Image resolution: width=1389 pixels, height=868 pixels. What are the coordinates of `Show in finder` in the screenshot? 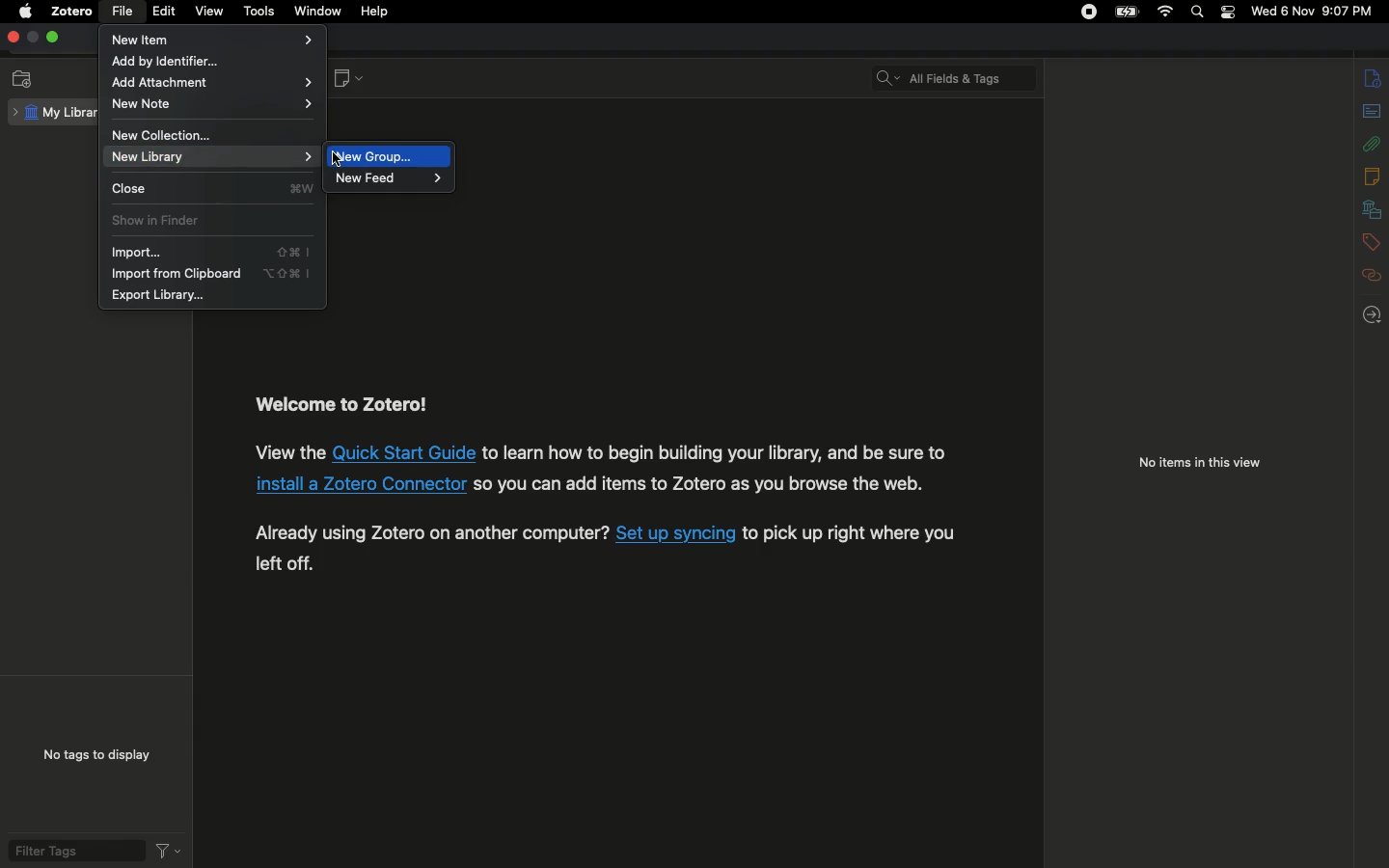 It's located at (160, 223).